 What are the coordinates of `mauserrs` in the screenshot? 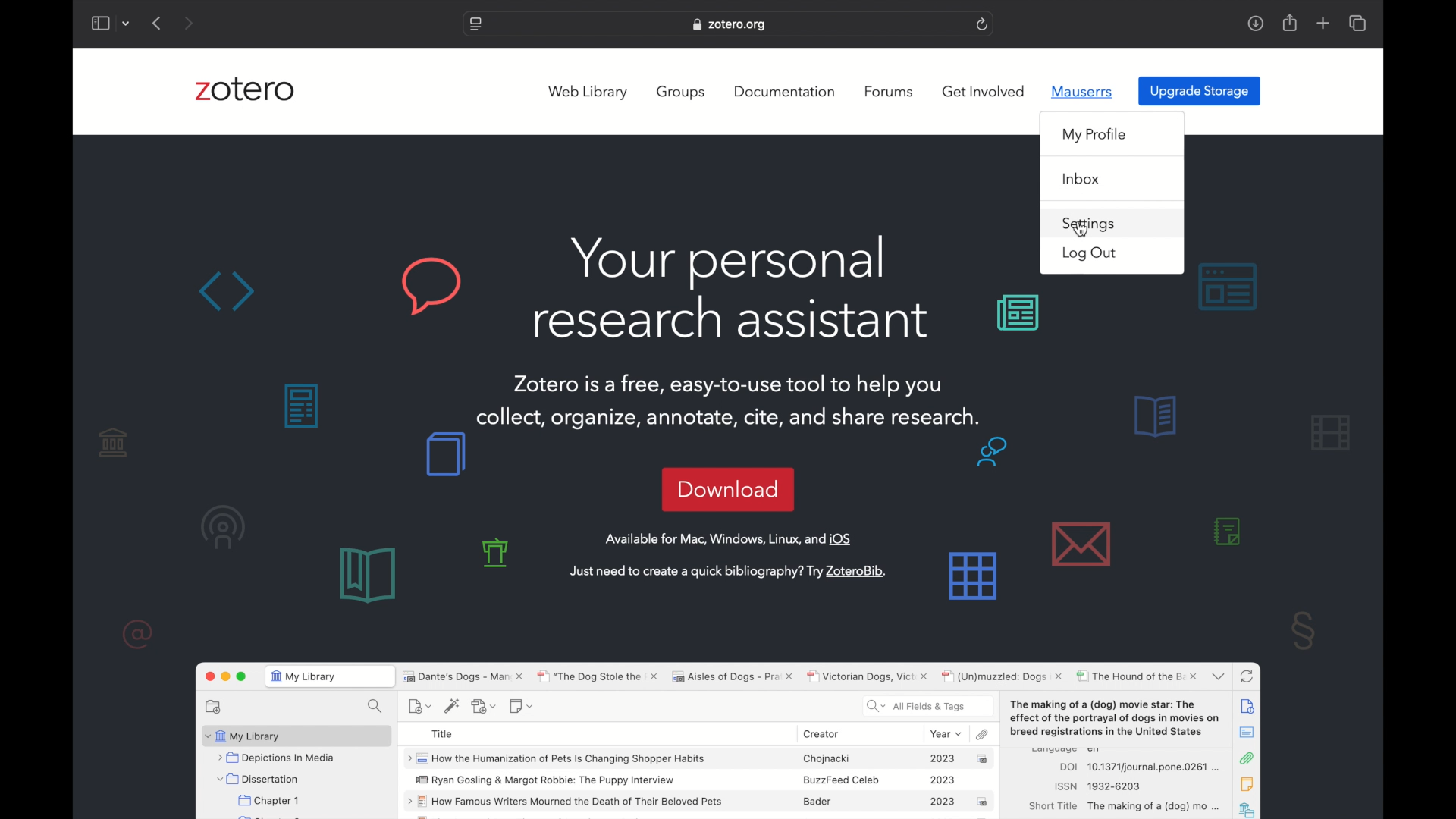 It's located at (1082, 91).